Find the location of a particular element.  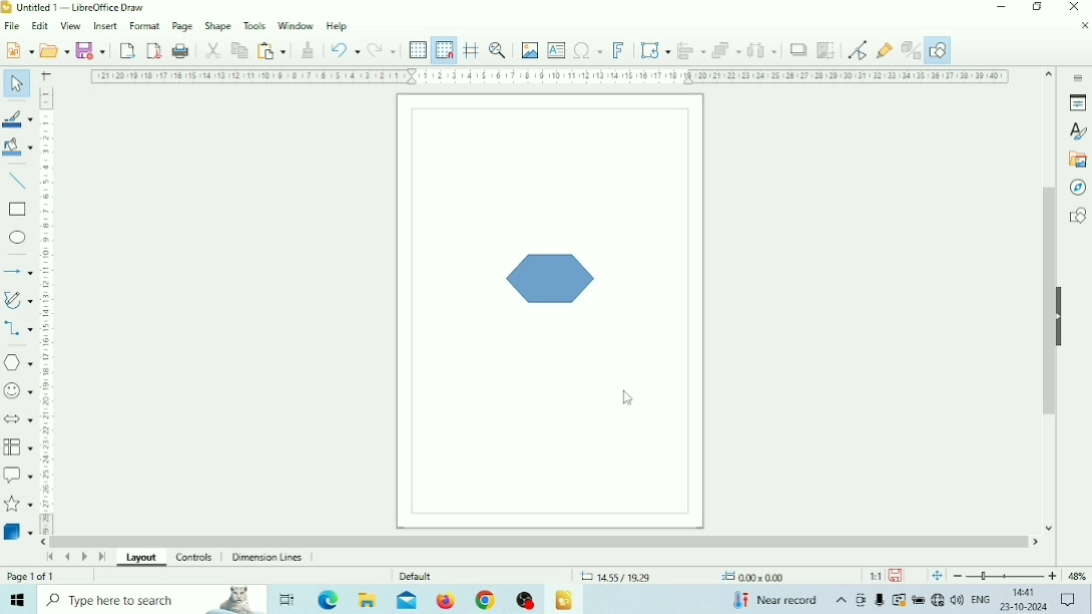

Microsoft Edge is located at coordinates (330, 599).